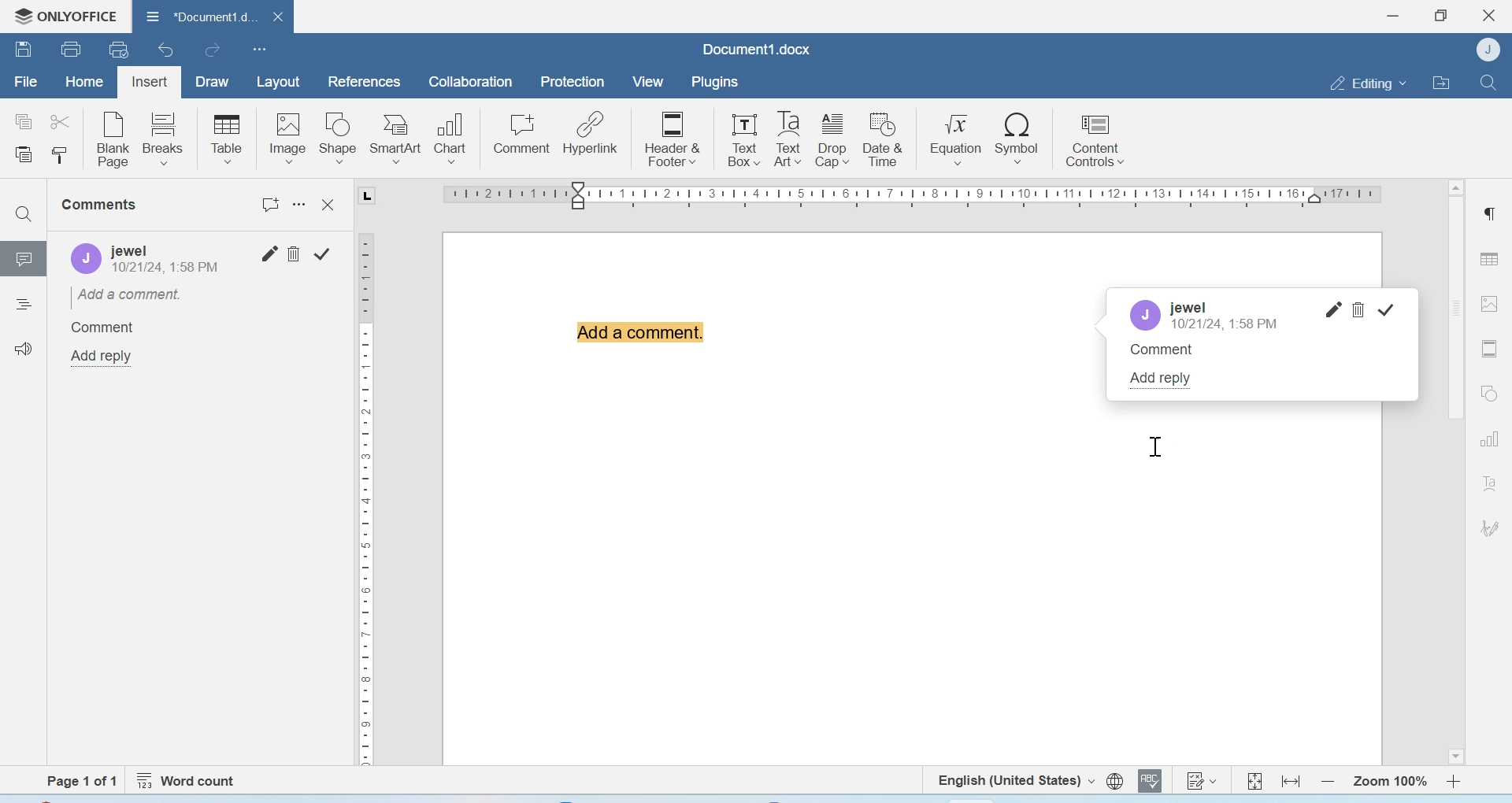  Describe the element at coordinates (103, 357) in the screenshot. I see `Add reply` at that location.